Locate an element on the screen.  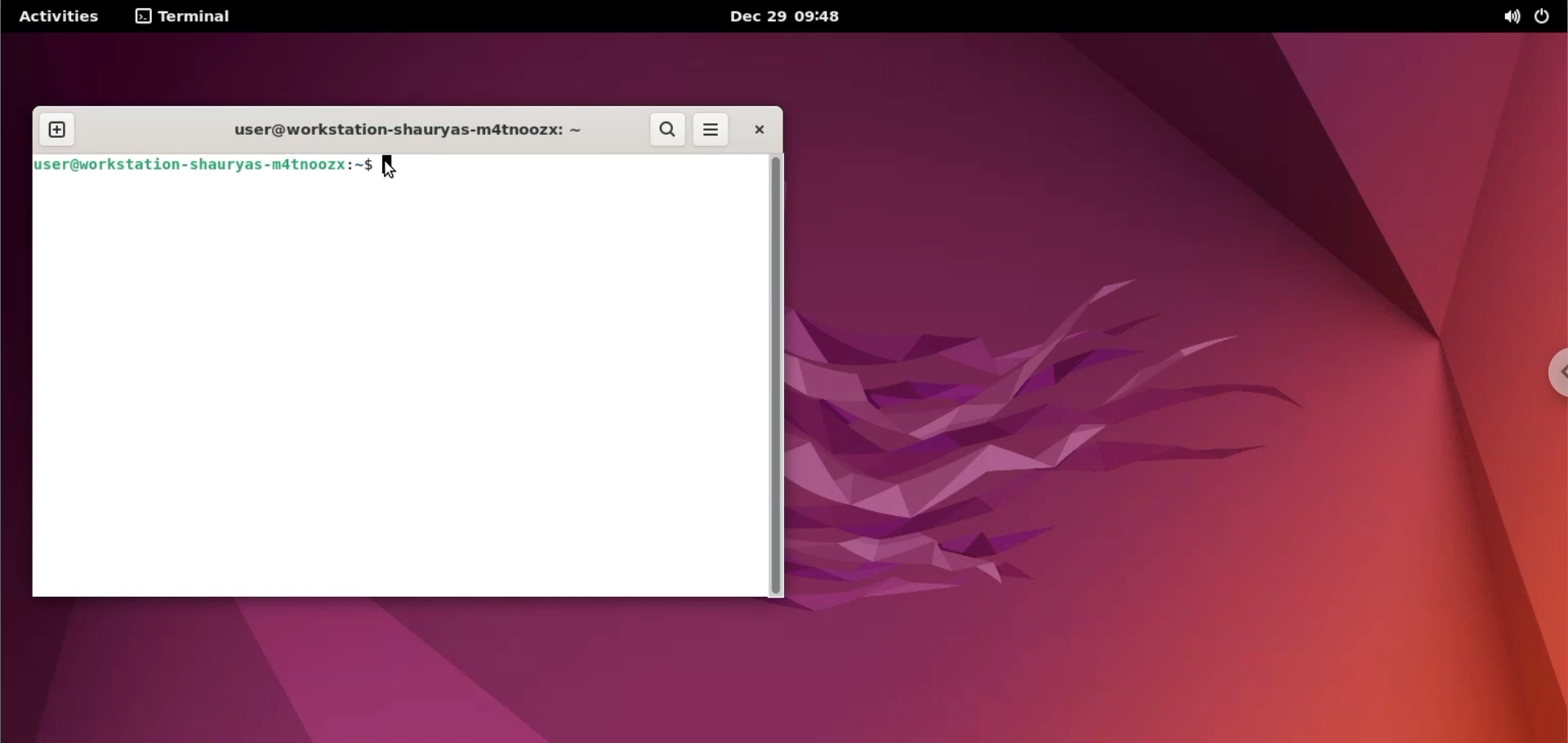
typing icon is located at coordinates (387, 168).